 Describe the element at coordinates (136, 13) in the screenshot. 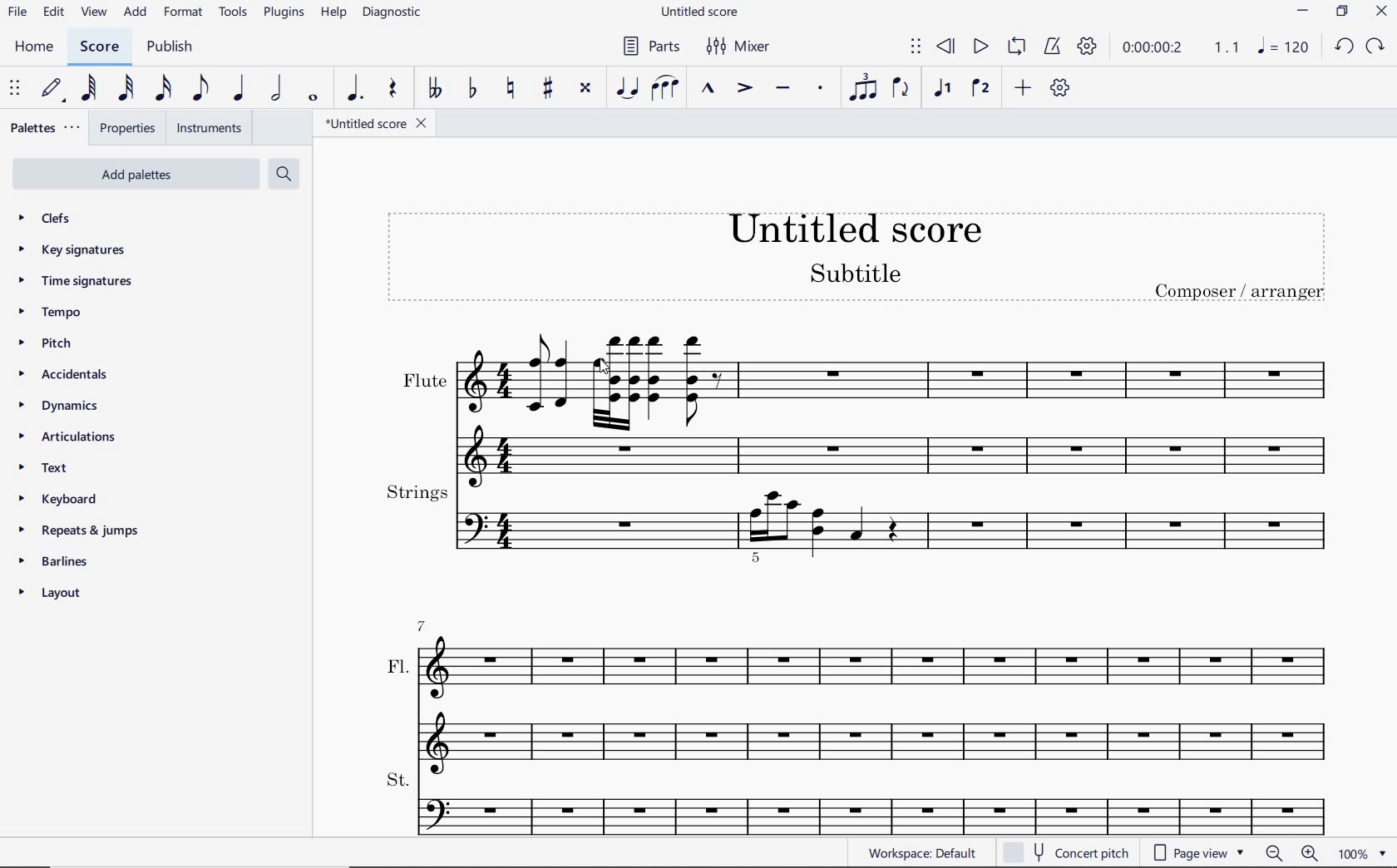

I see `add` at that location.